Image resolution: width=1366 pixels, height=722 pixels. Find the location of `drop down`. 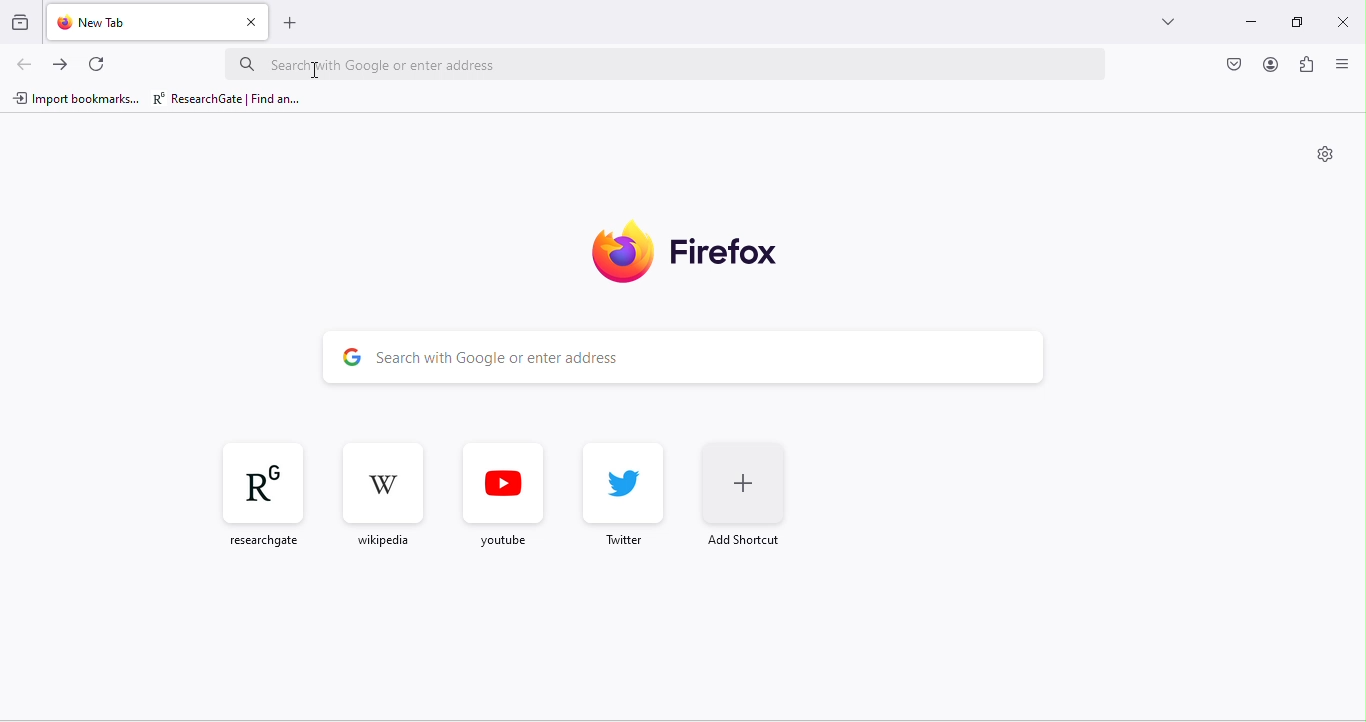

drop down is located at coordinates (1167, 22).